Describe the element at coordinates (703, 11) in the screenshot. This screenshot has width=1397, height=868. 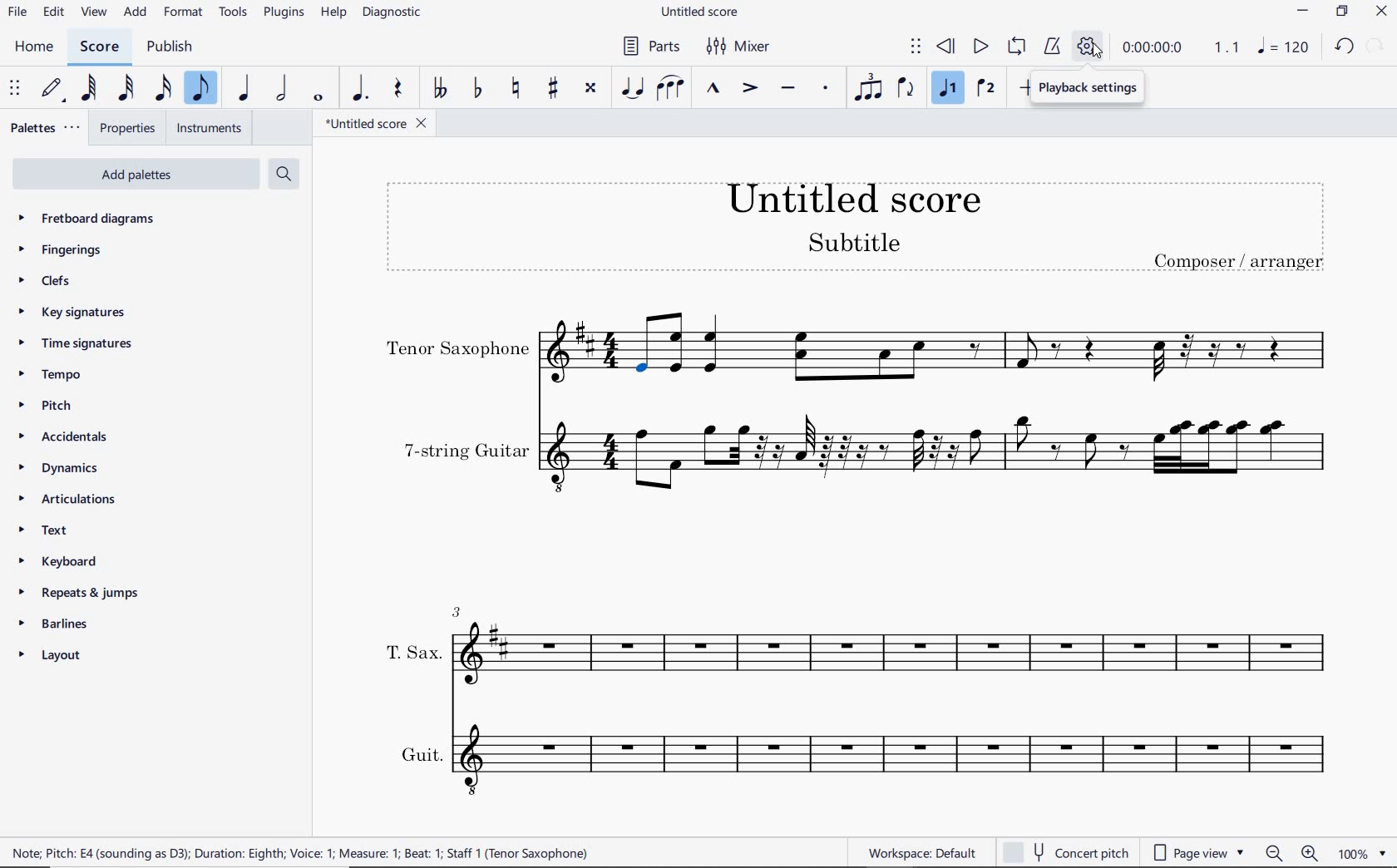
I see `FILE NAME` at that location.